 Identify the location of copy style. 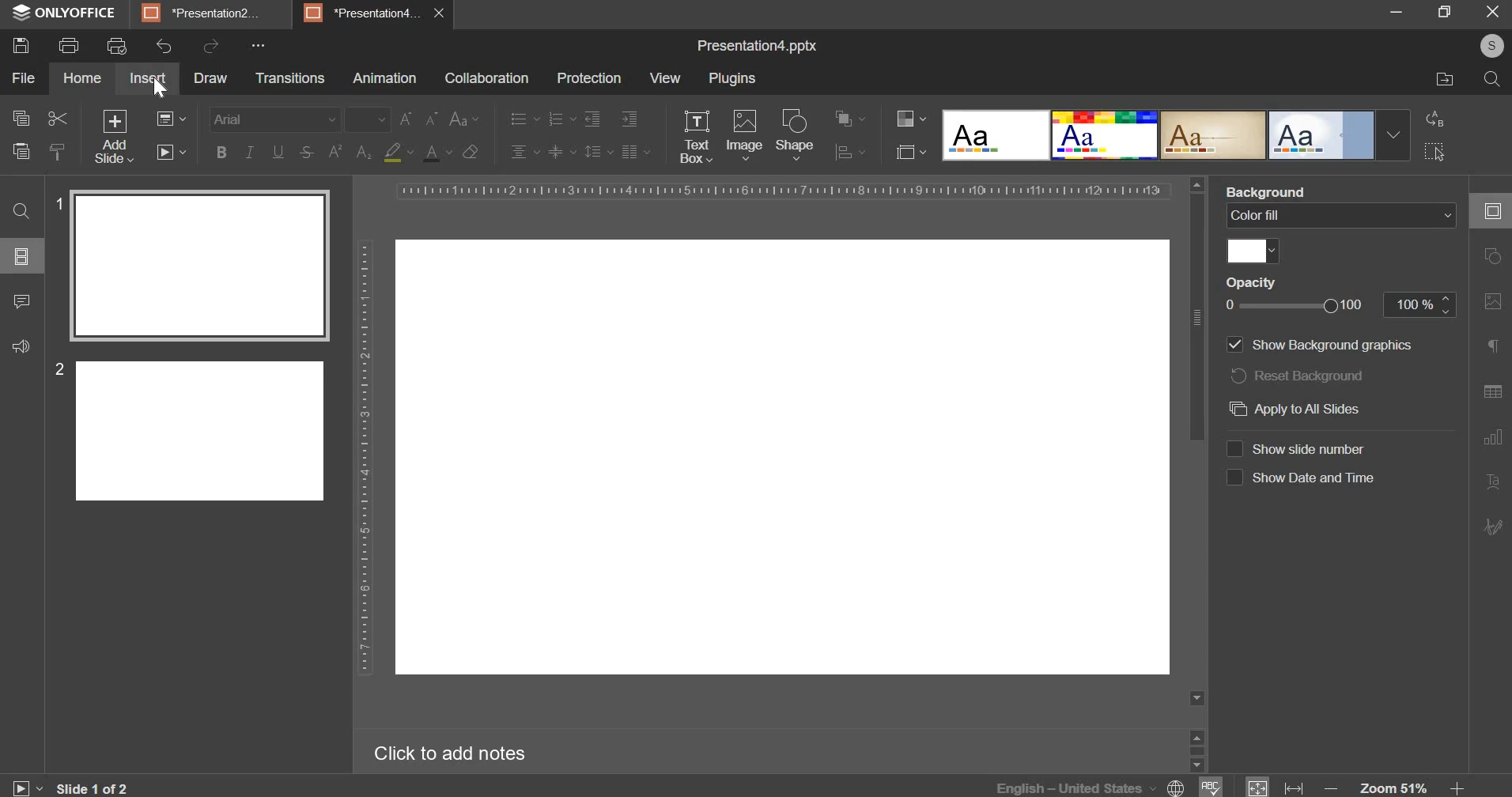
(59, 153).